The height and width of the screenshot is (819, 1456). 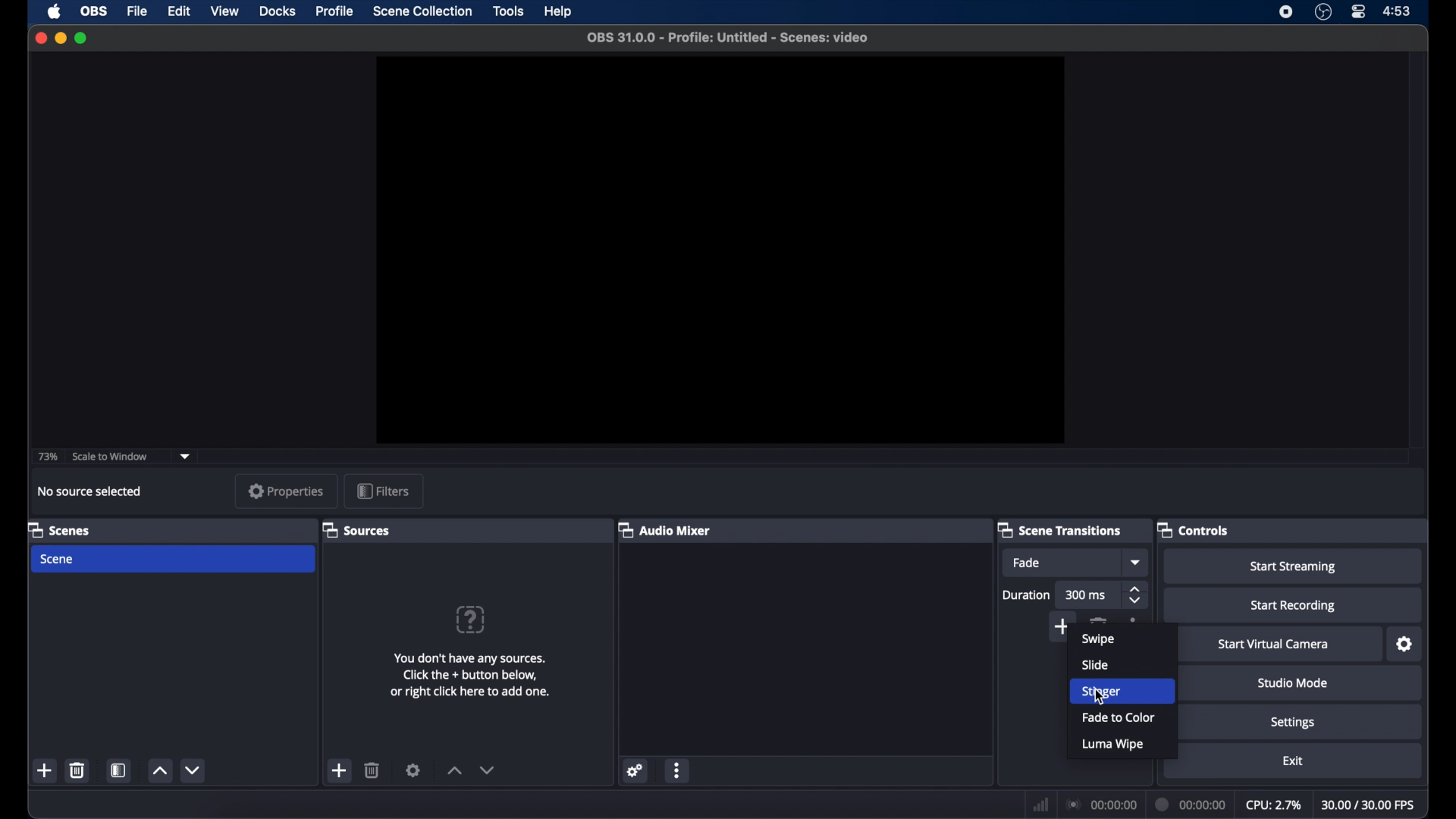 I want to click on close, so click(x=40, y=38).